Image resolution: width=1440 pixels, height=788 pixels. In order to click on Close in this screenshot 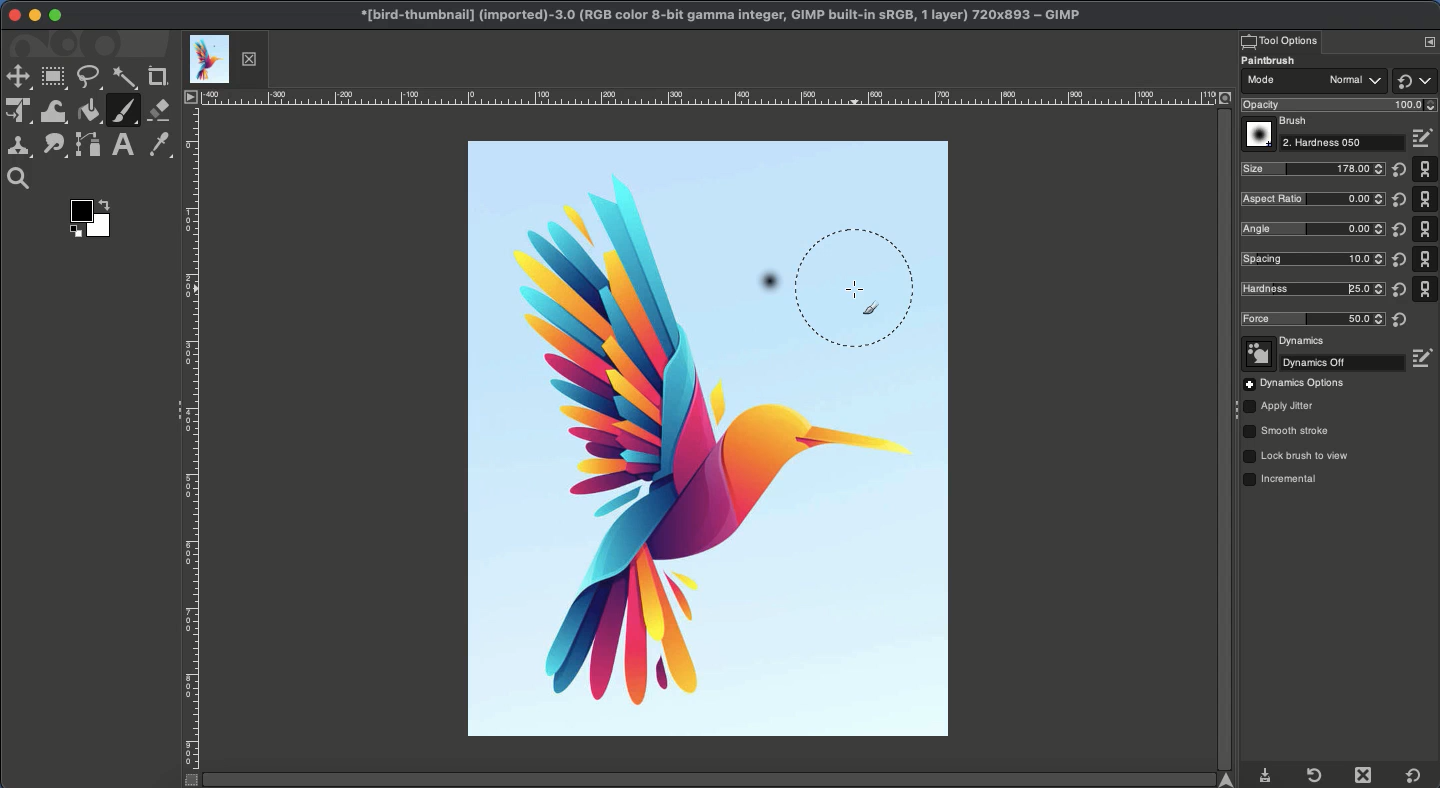, I will do `click(15, 16)`.